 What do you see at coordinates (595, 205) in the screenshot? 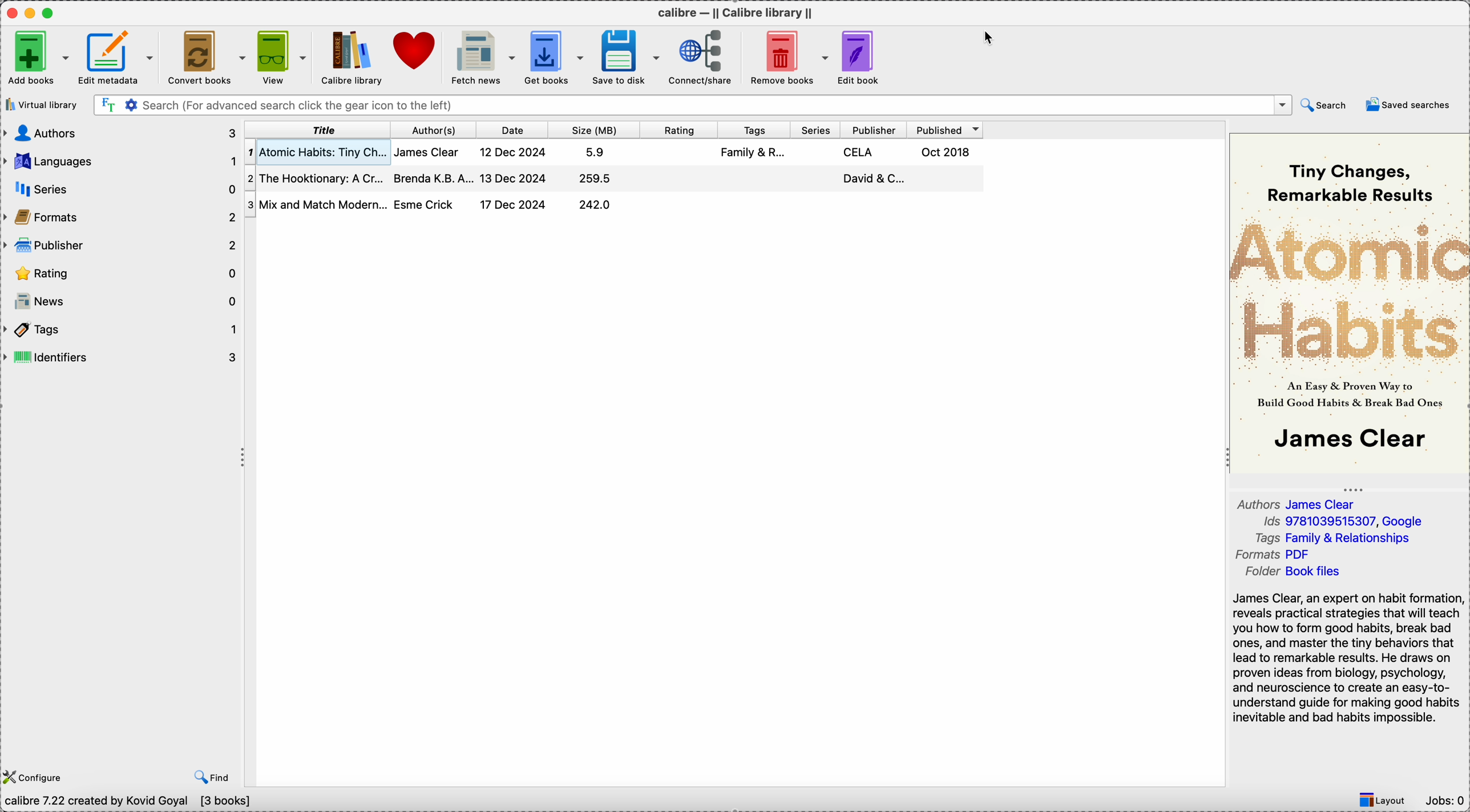
I see `242.0` at bounding box center [595, 205].